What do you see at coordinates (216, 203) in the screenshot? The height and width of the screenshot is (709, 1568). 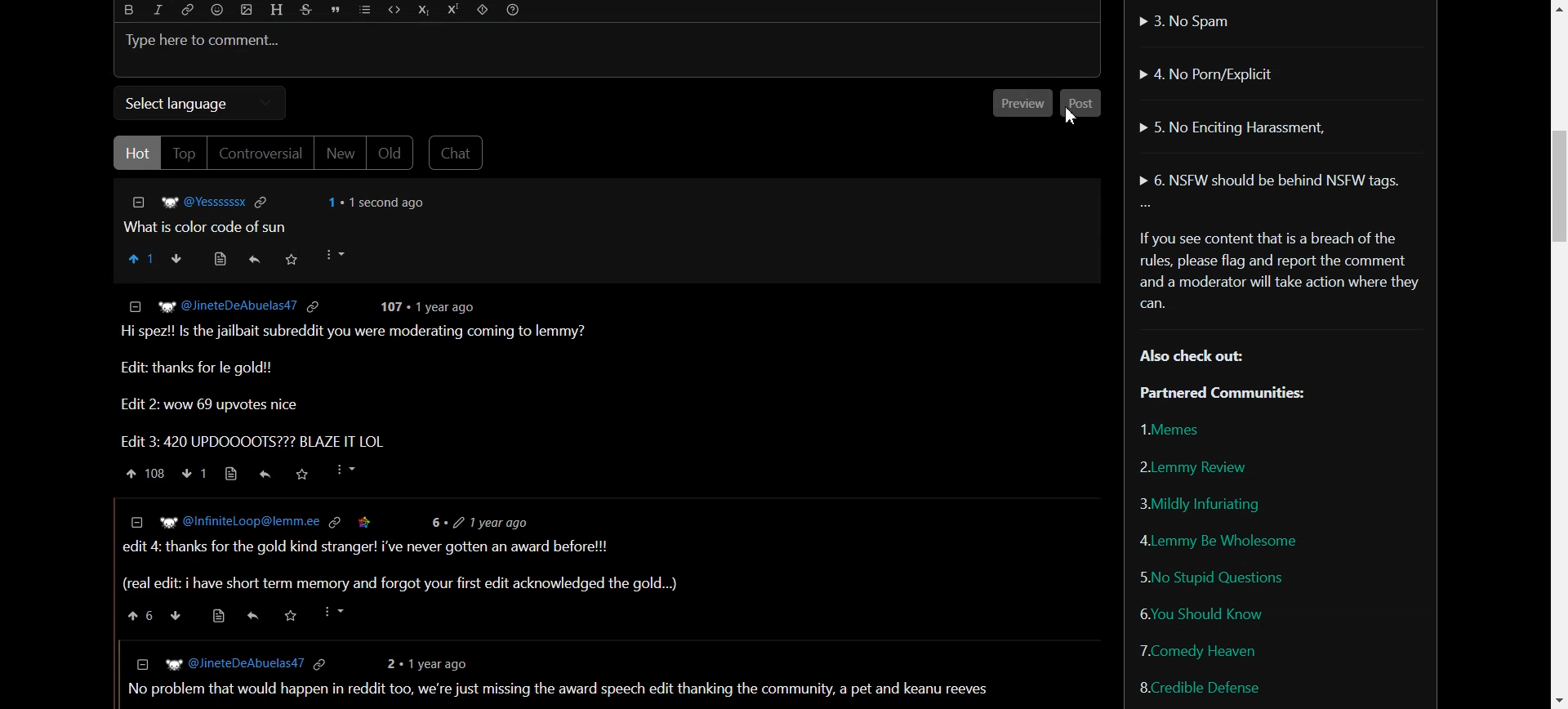 I see `Hyperlink` at bounding box center [216, 203].